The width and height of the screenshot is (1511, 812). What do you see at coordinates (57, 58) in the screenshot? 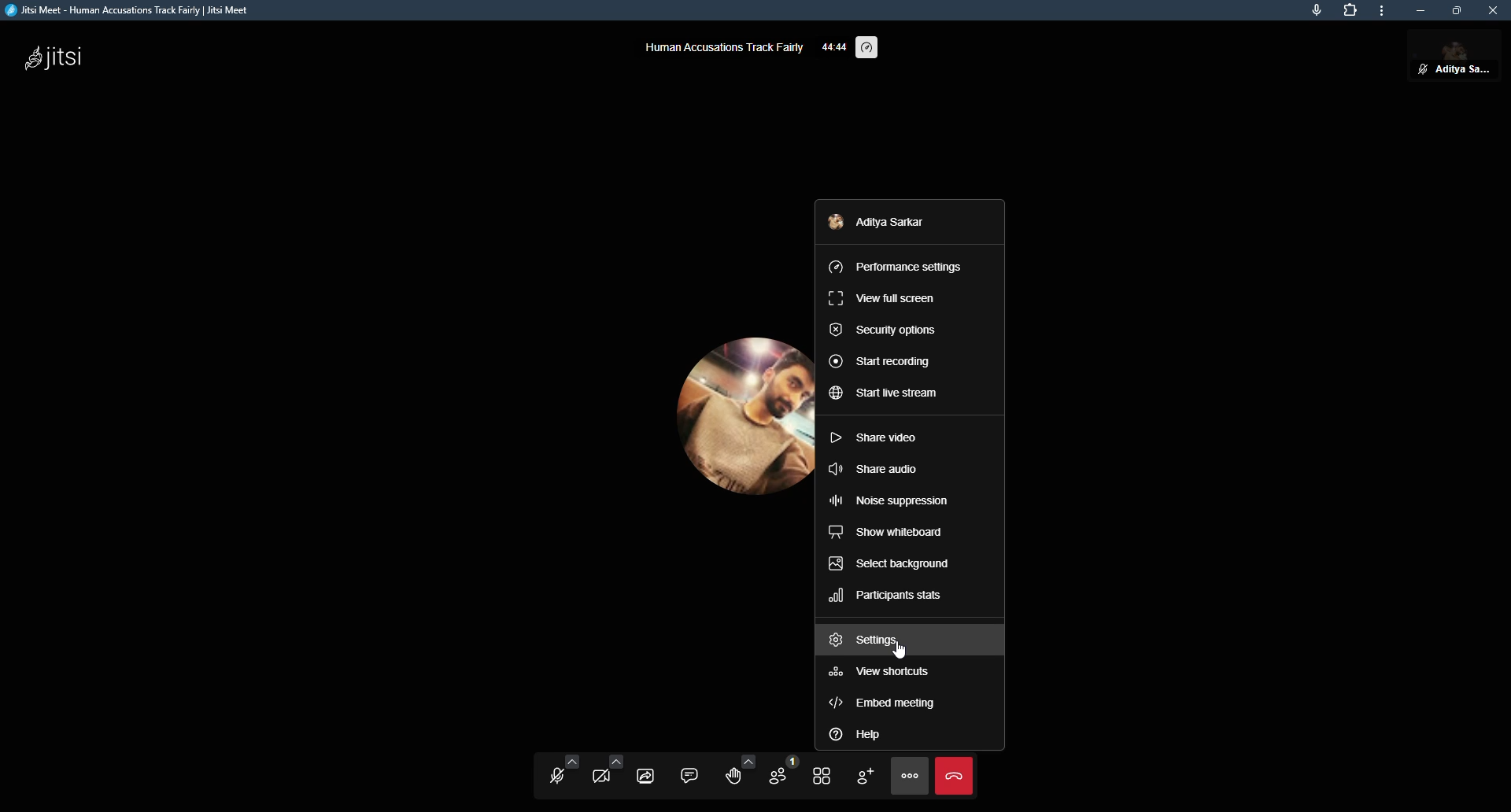
I see `jitsi` at bounding box center [57, 58].